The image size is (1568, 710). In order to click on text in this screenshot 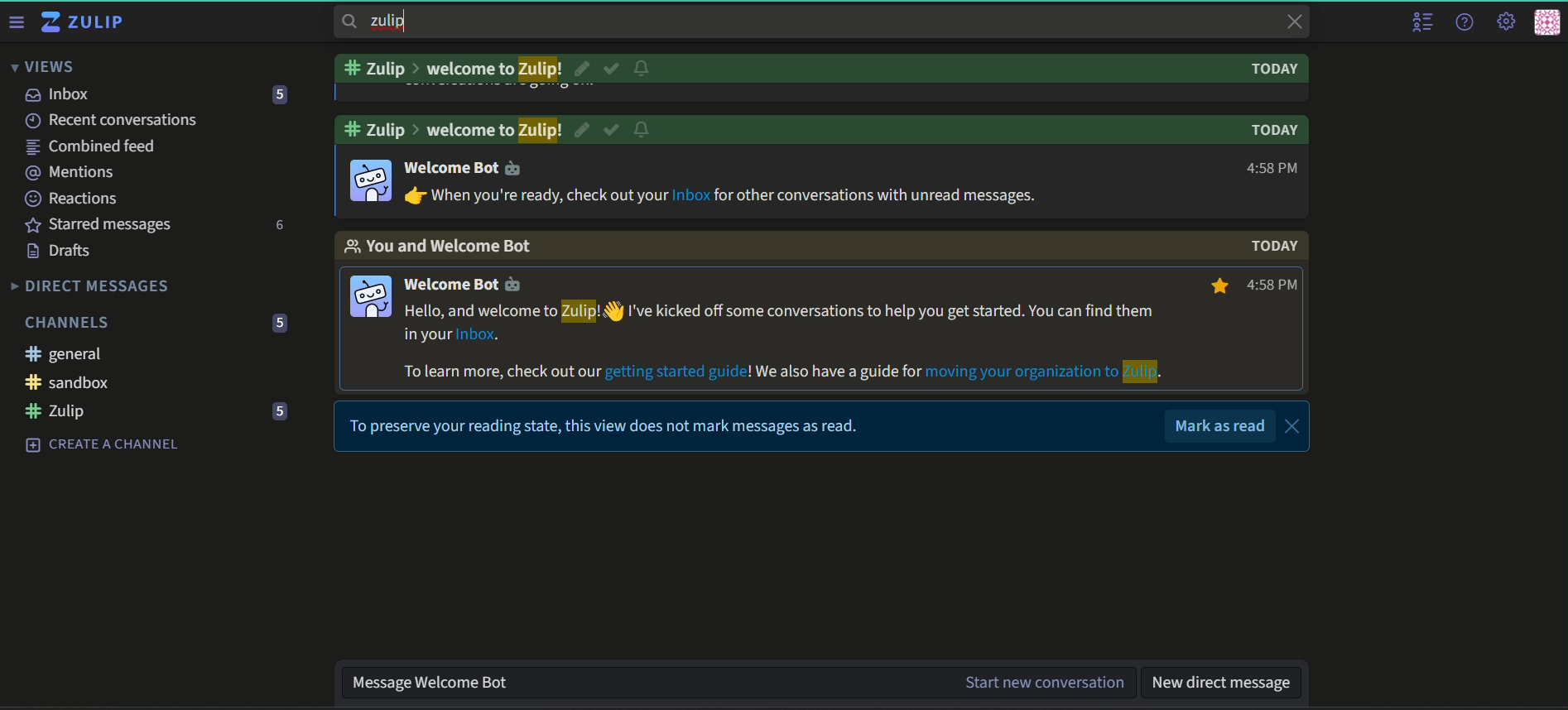, I will do `click(1273, 247)`.